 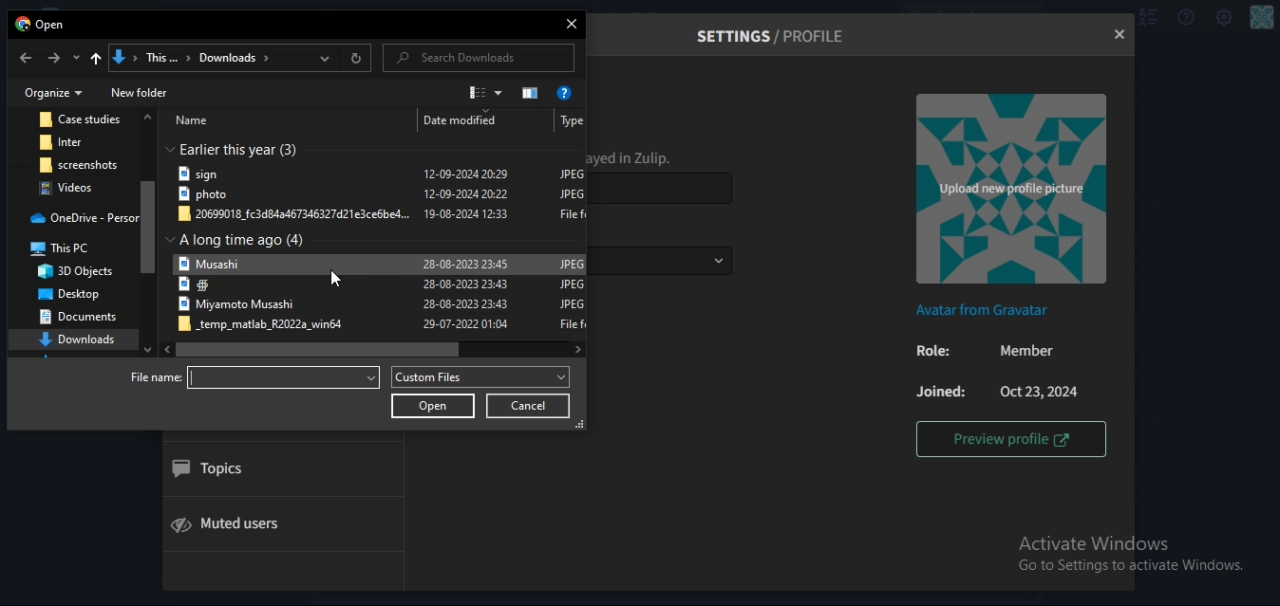 What do you see at coordinates (774, 36) in the screenshot?
I see `SETTINGS/PROFILE` at bounding box center [774, 36].